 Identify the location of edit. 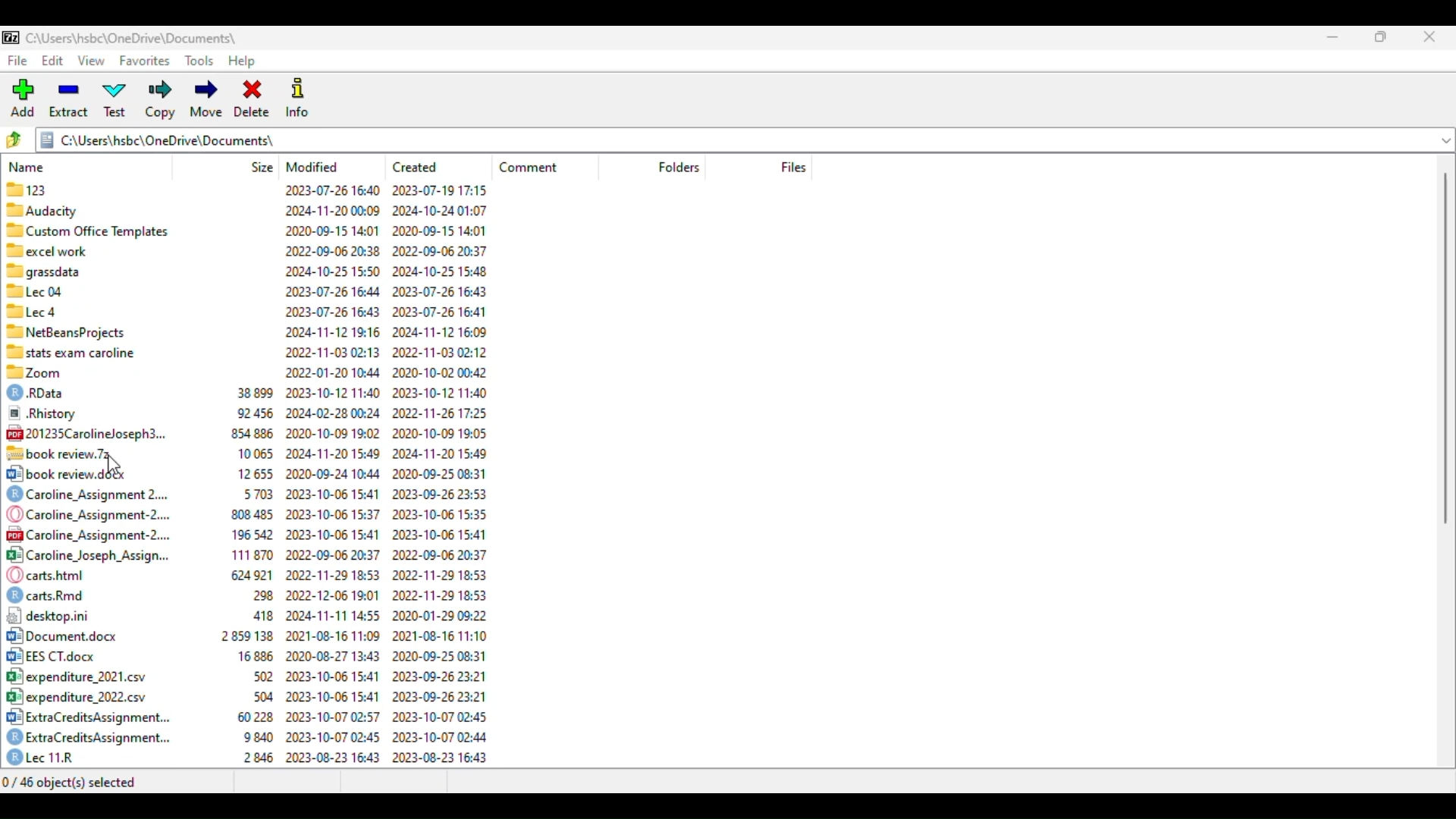
(54, 60).